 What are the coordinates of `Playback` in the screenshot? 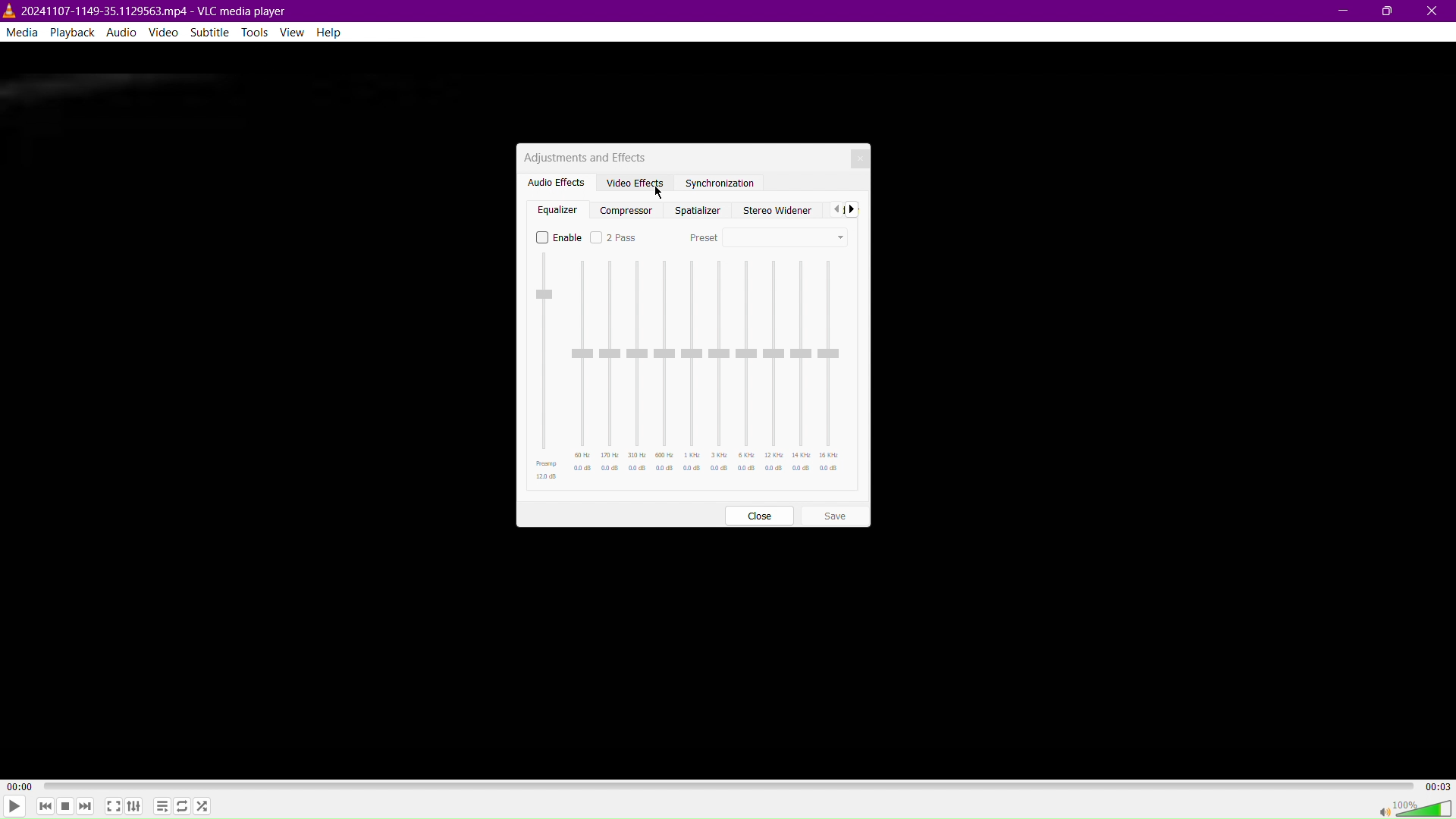 It's located at (71, 32).